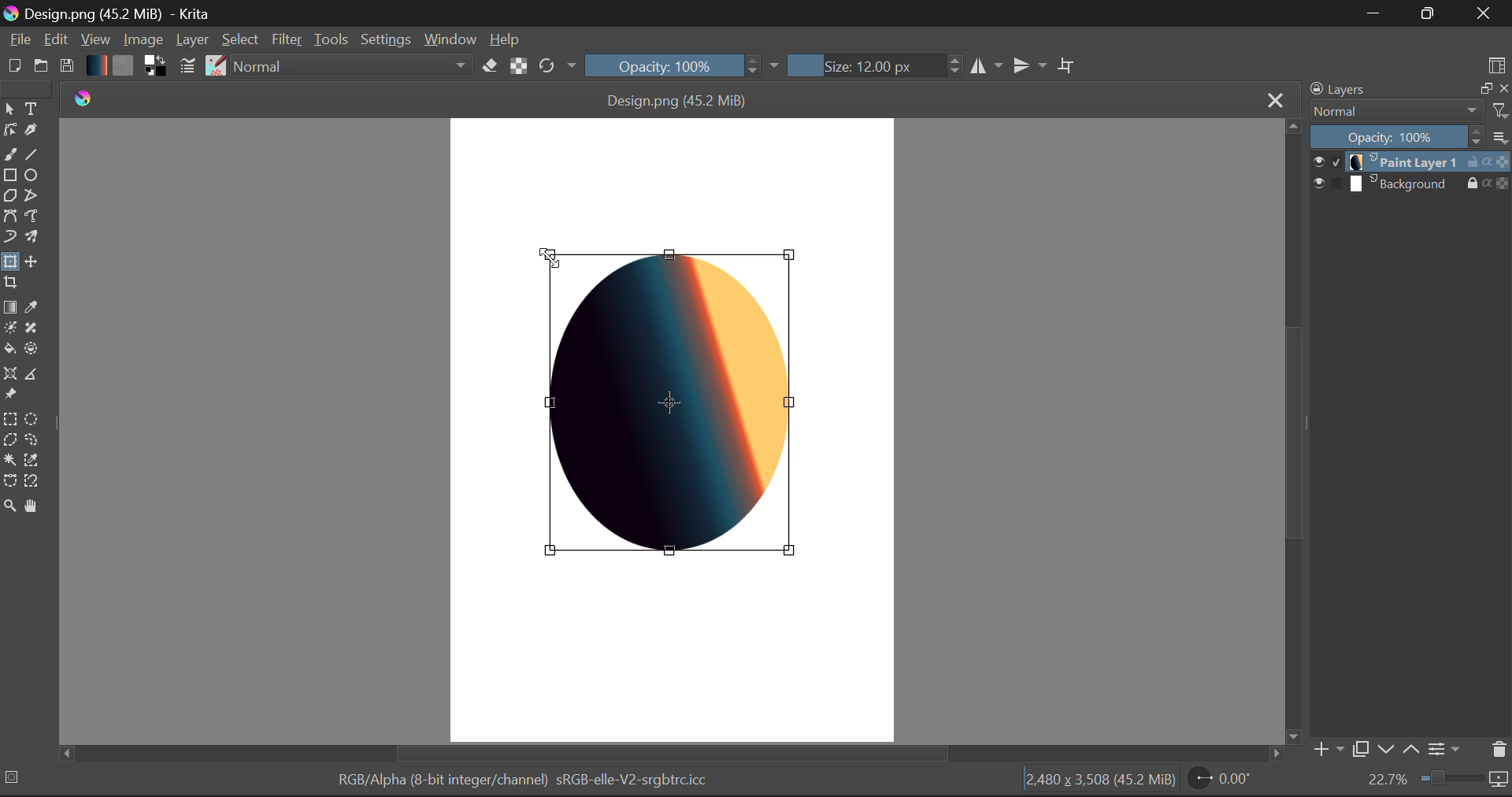 The image size is (1512, 797). I want to click on Eraser, so click(491, 65).